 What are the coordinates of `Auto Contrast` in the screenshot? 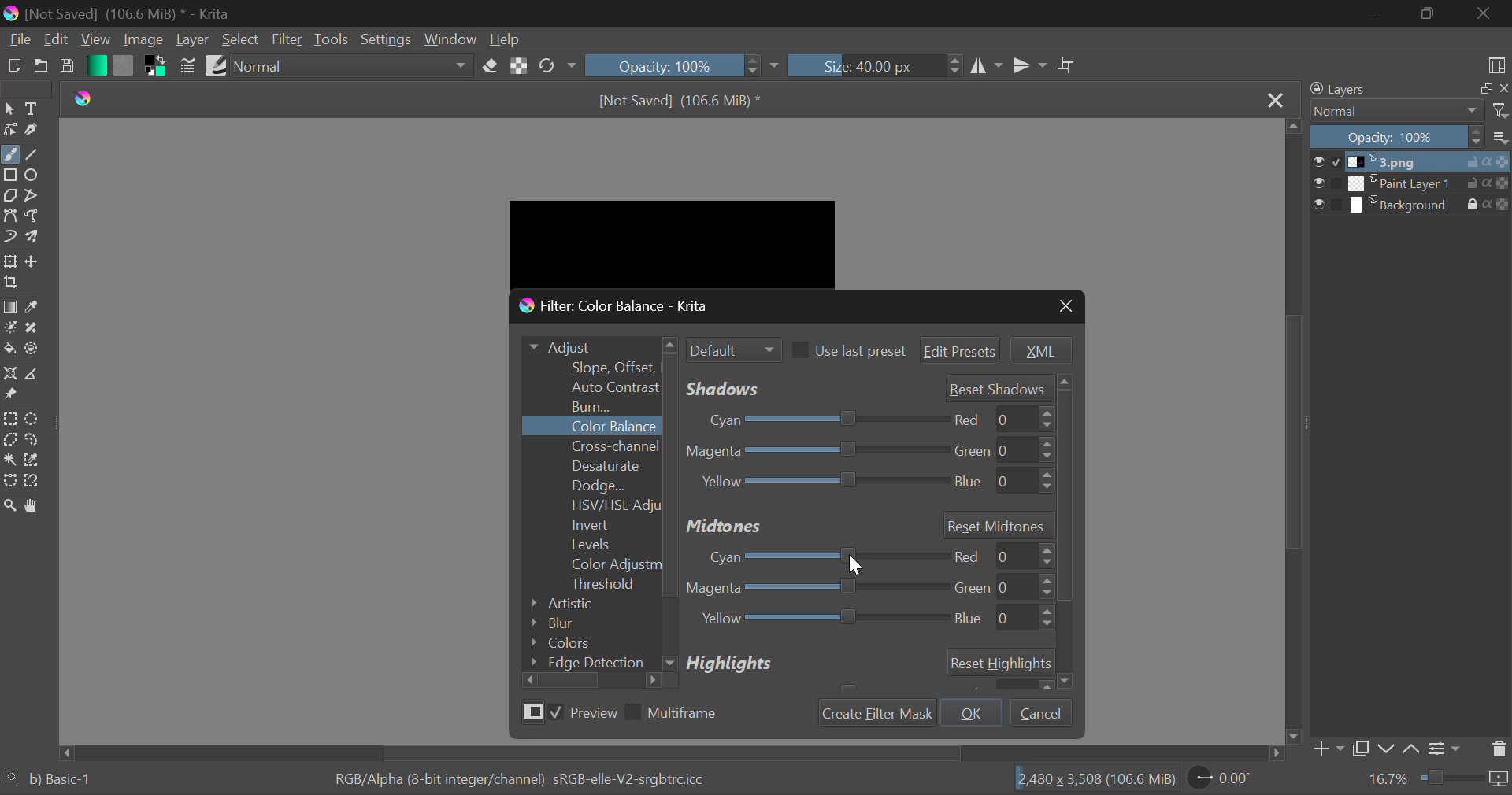 It's located at (610, 387).